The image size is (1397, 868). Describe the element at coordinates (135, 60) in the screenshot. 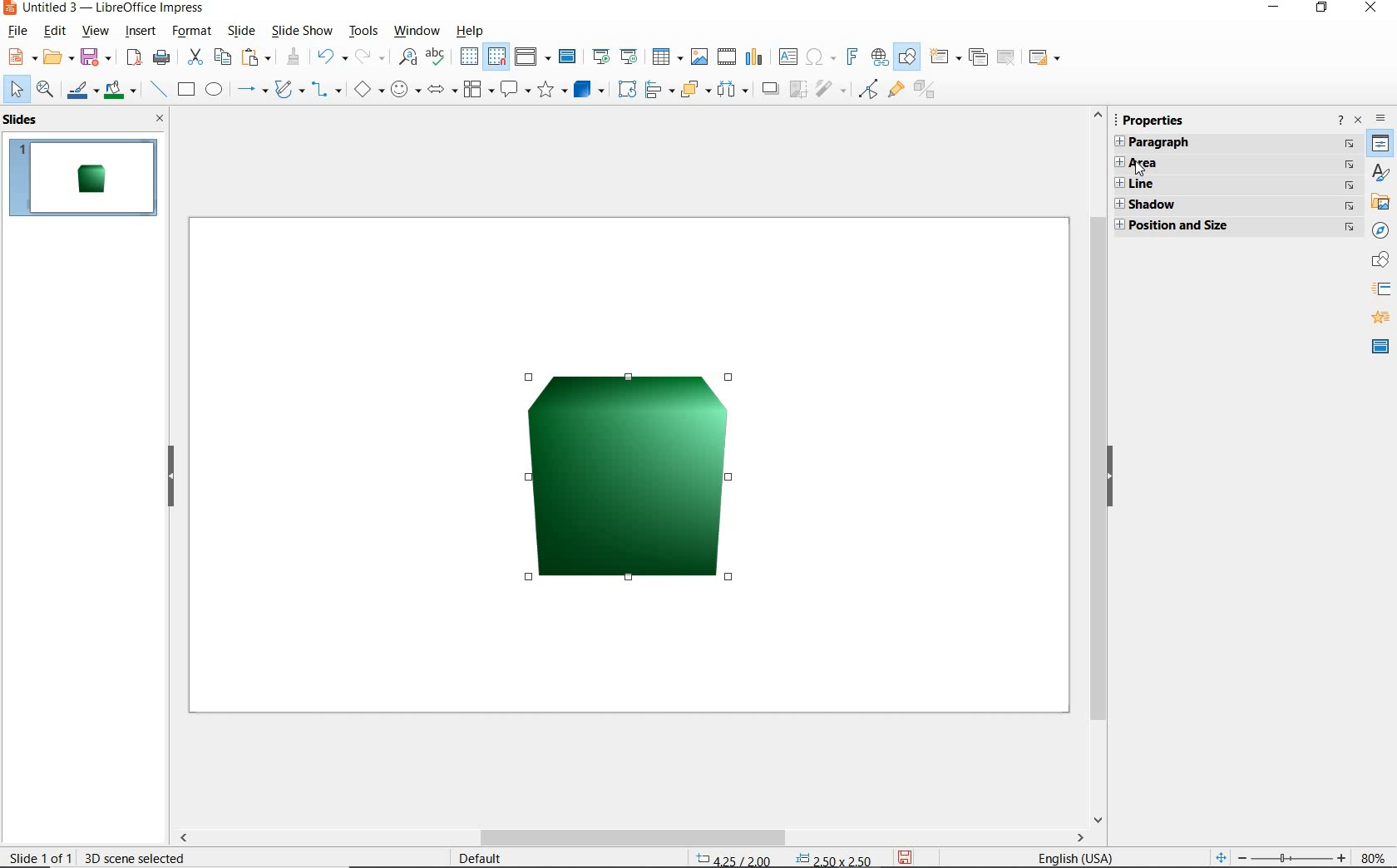

I see `export as pdf` at that location.